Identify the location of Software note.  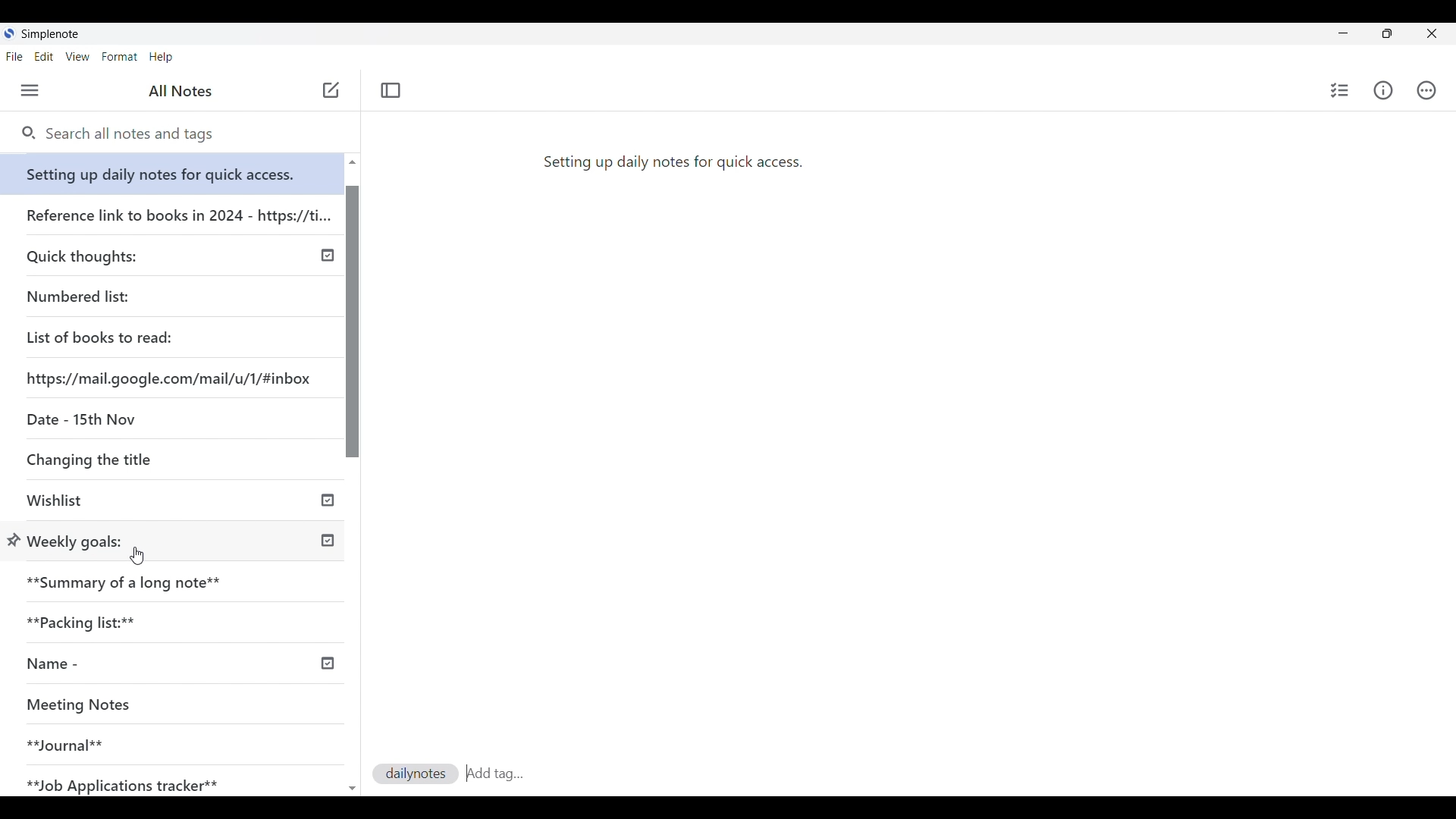
(55, 33).